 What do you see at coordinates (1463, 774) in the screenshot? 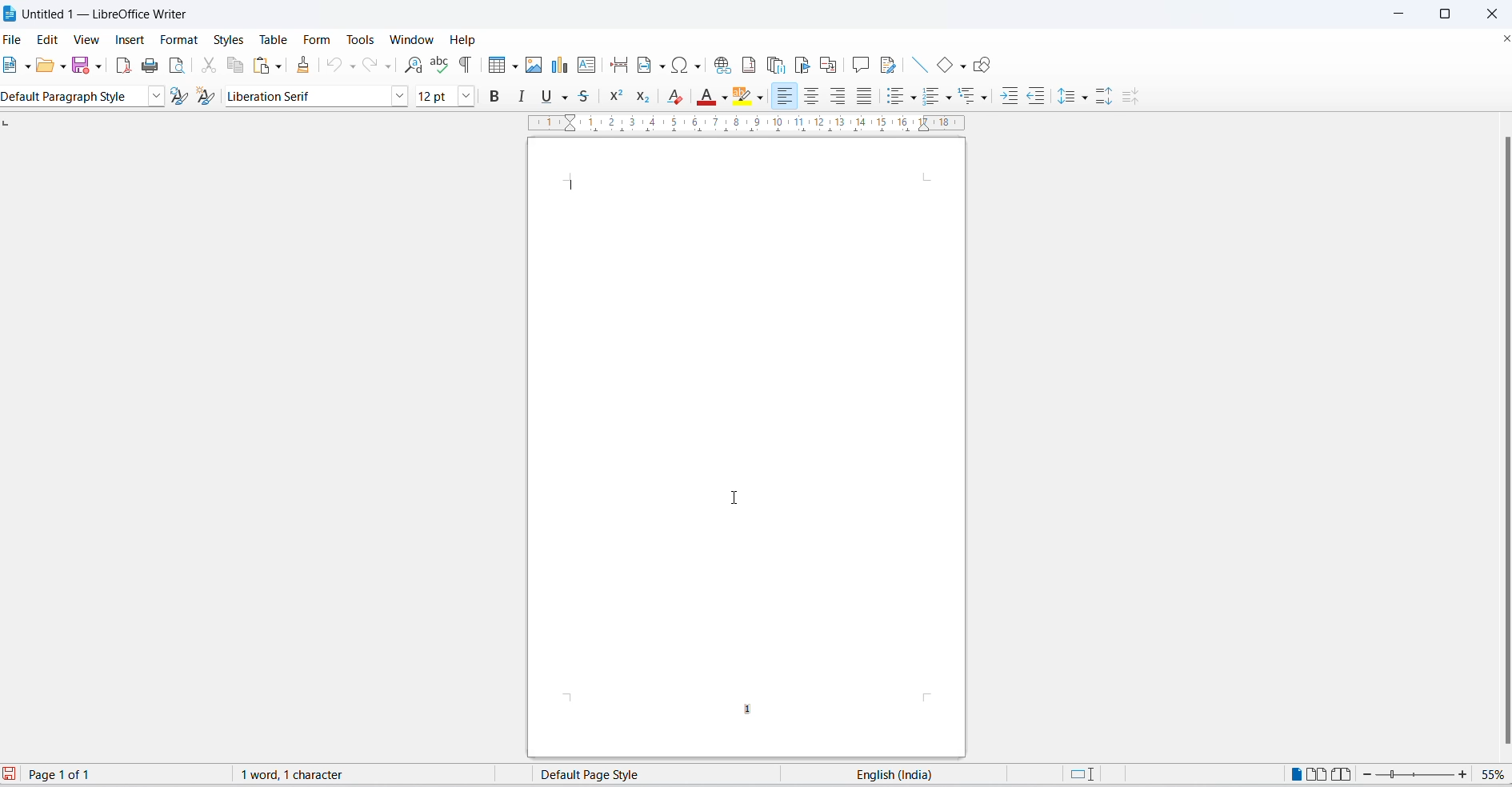
I see `increase` at bounding box center [1463, 774].